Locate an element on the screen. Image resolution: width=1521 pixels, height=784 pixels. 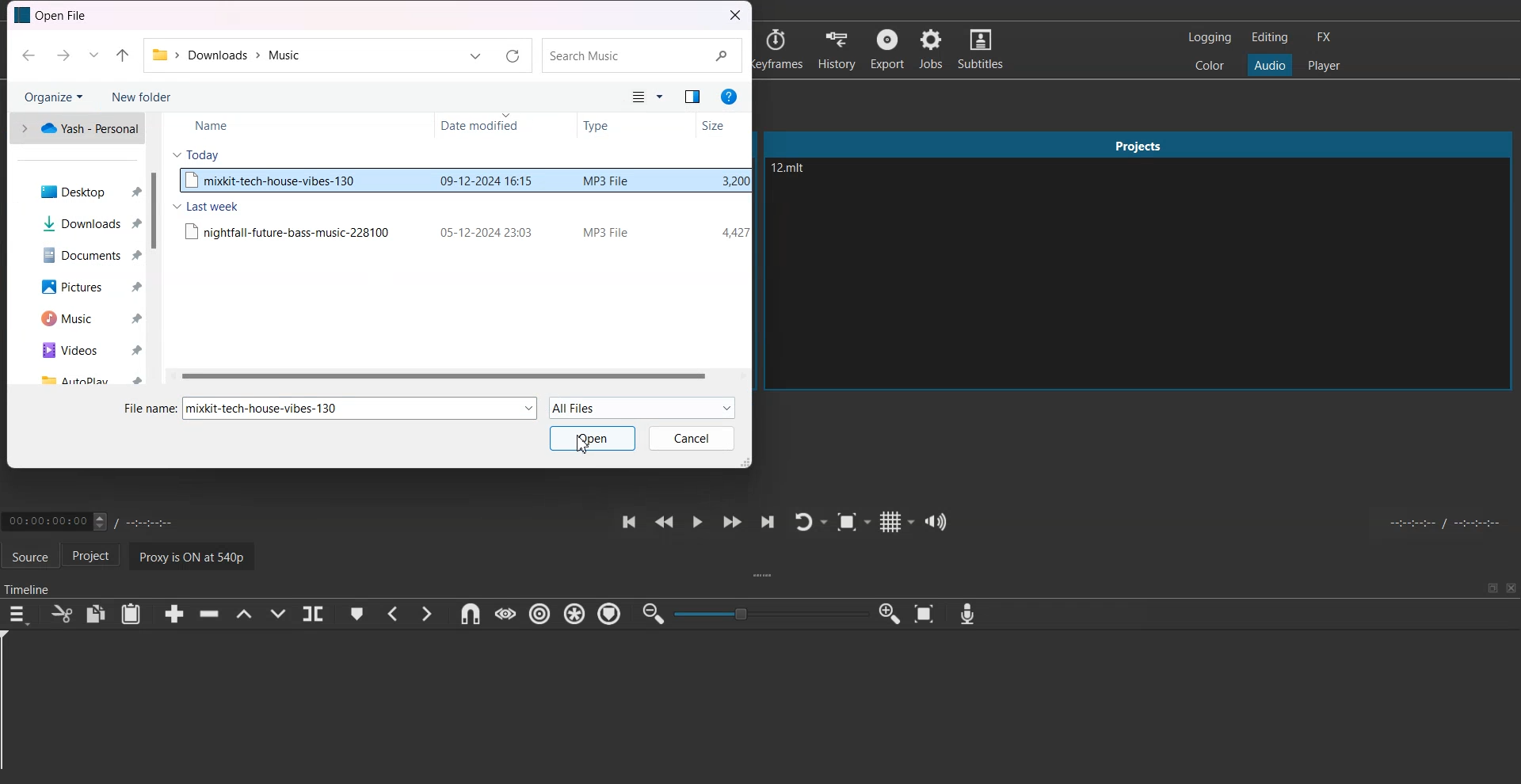
Playhead is located at coordinates (14, 707).